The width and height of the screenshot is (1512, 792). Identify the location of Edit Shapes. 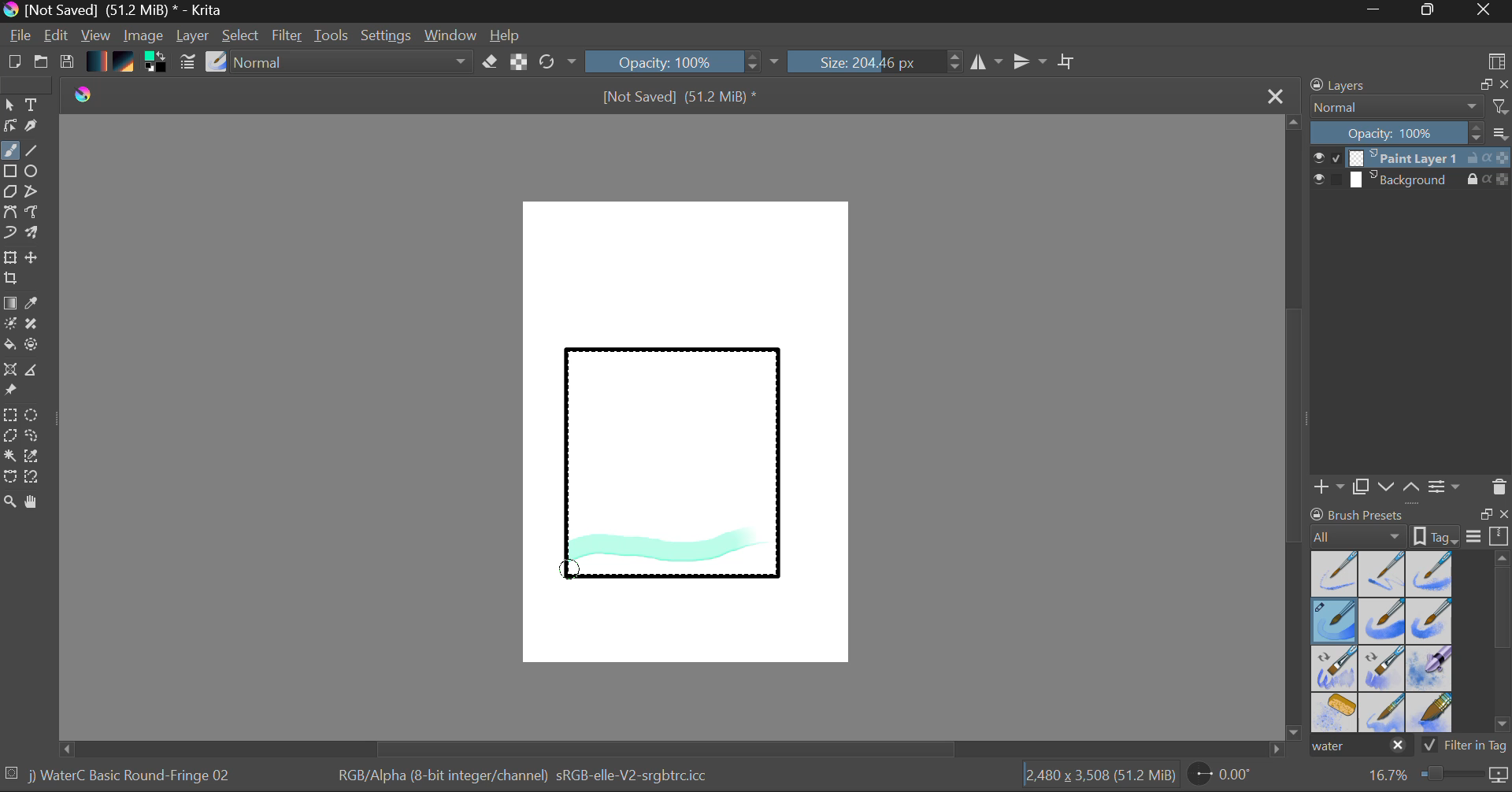
(9, 128).